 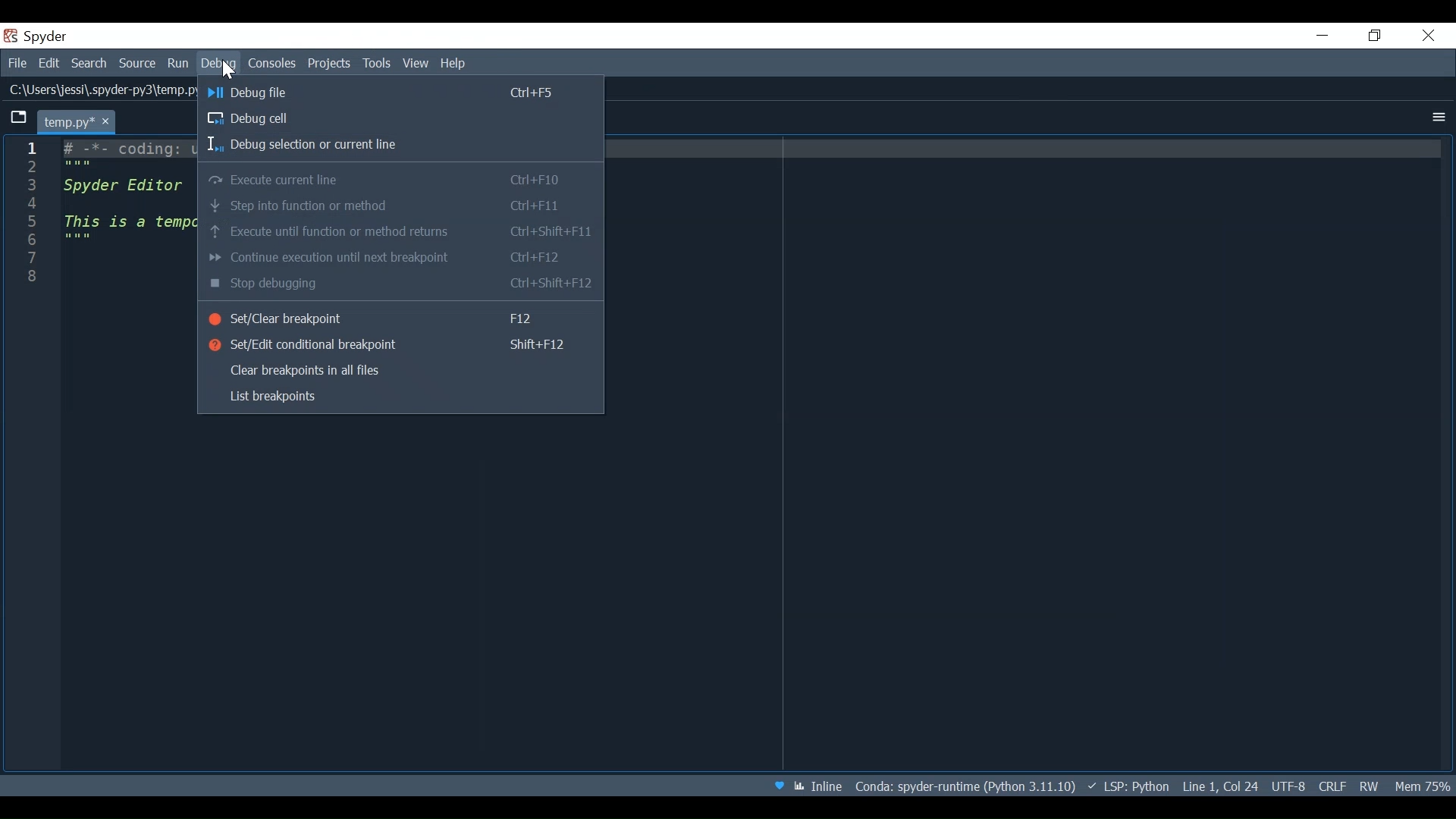 What do you see at coordinates (23, 215) in the screenshot?
I see `1 2 3 4 5 6 7 8` at bounding box center [23, 215].